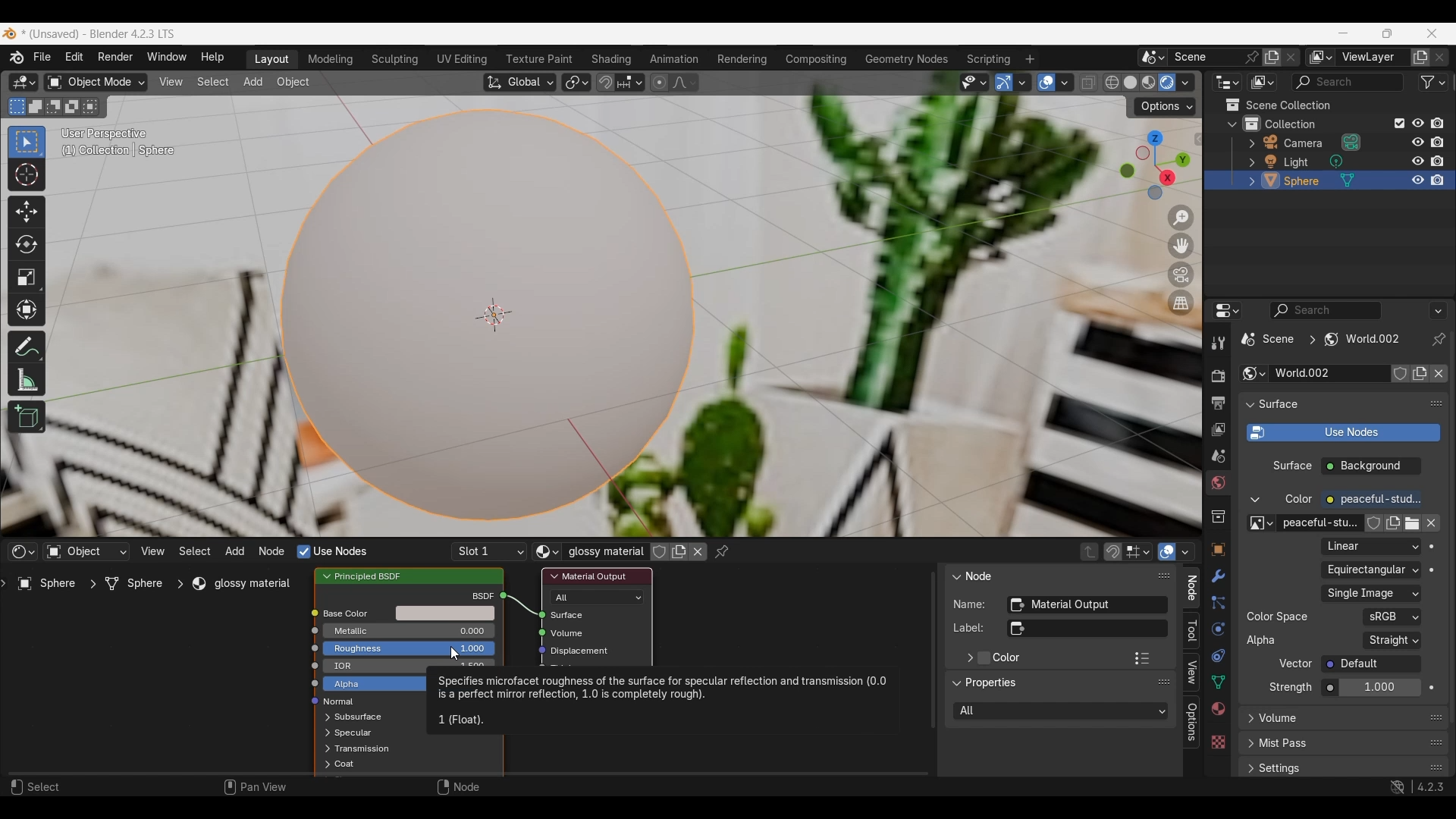 The width and height of the screenshot is (1456, 819). I want to click on Transform options, so click(1165, 107).